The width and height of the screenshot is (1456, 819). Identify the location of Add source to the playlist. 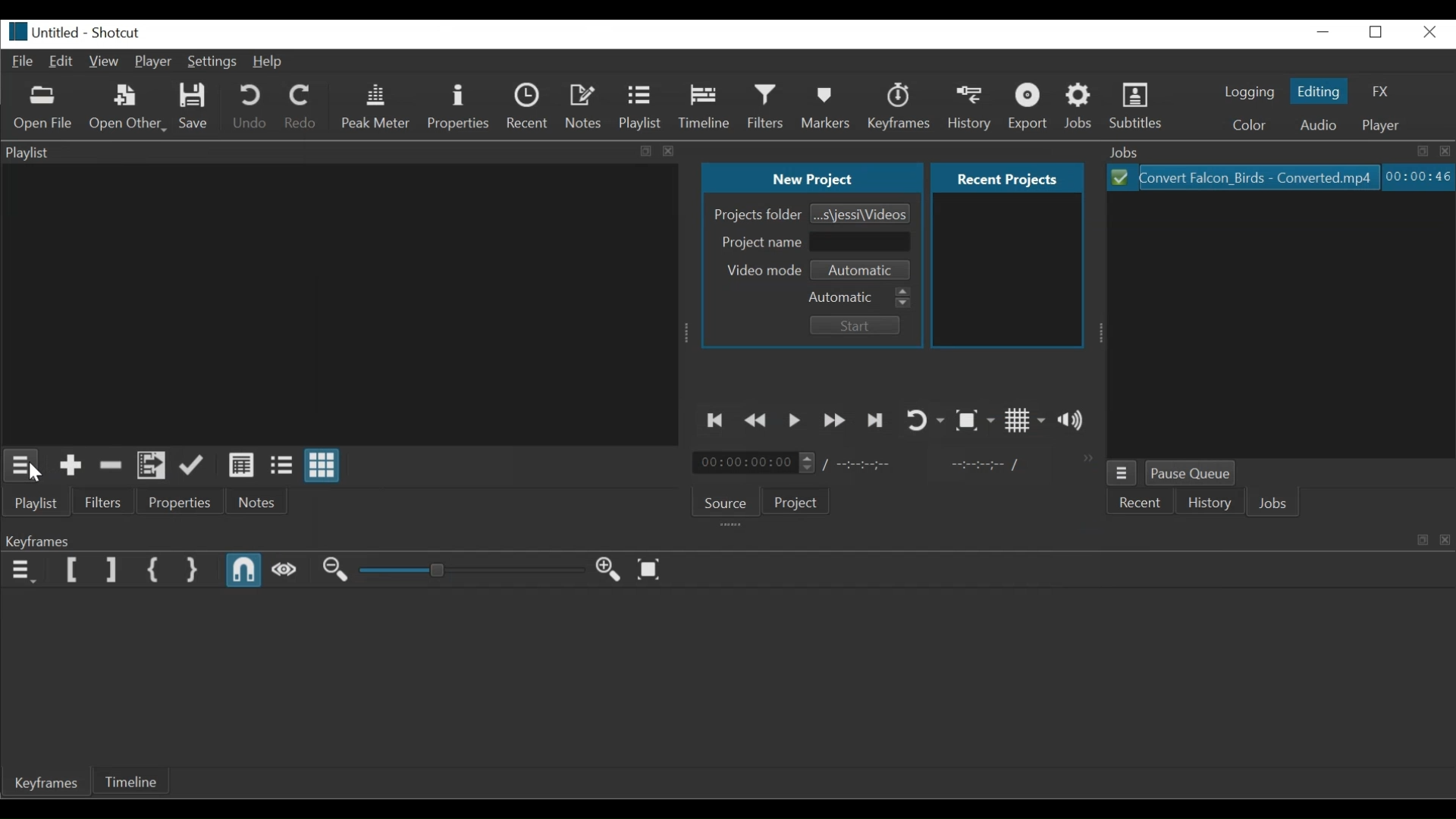
(71, 465).